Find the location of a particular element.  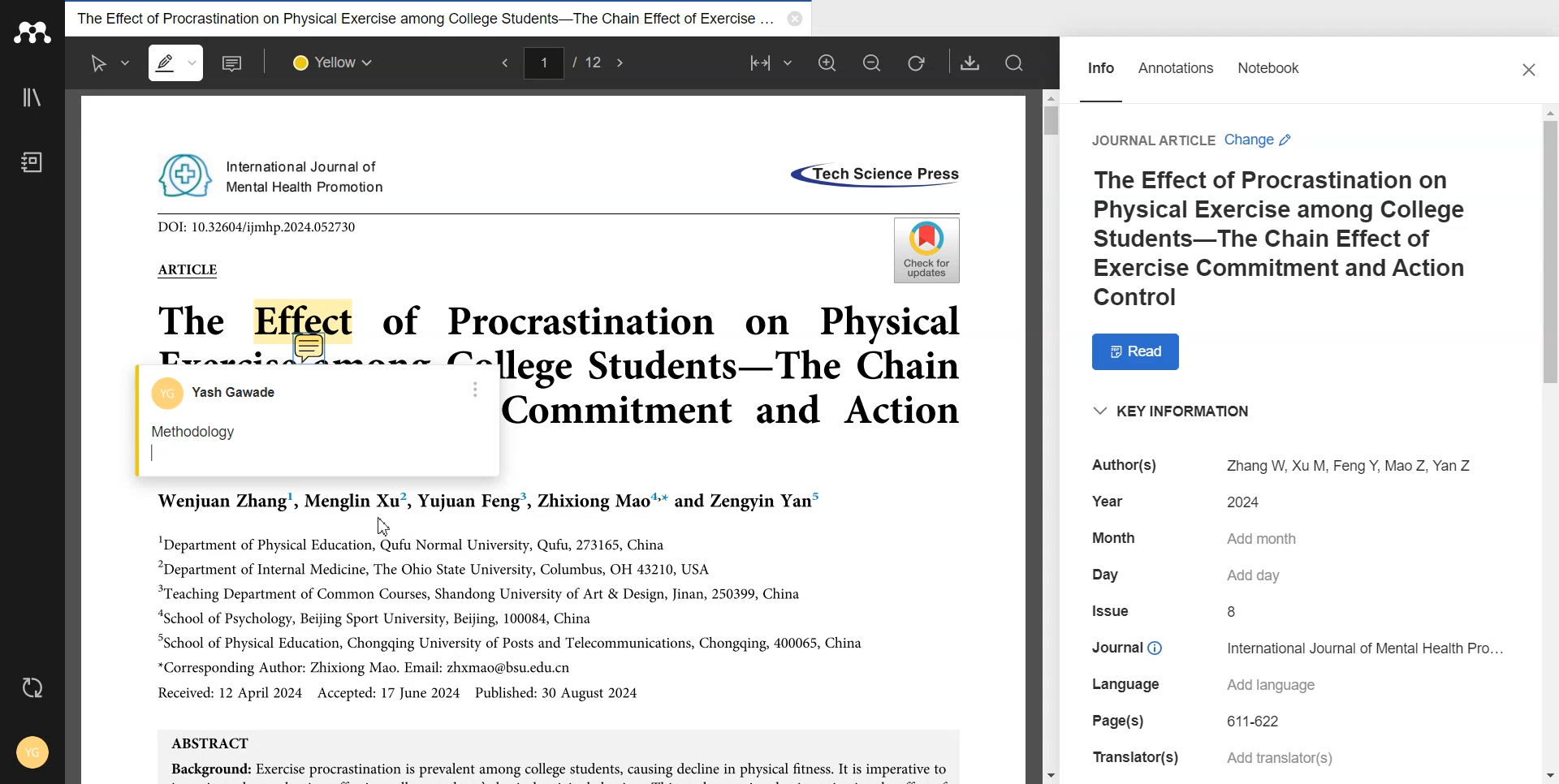

Journal Article is located at coordinates (1151, 140).